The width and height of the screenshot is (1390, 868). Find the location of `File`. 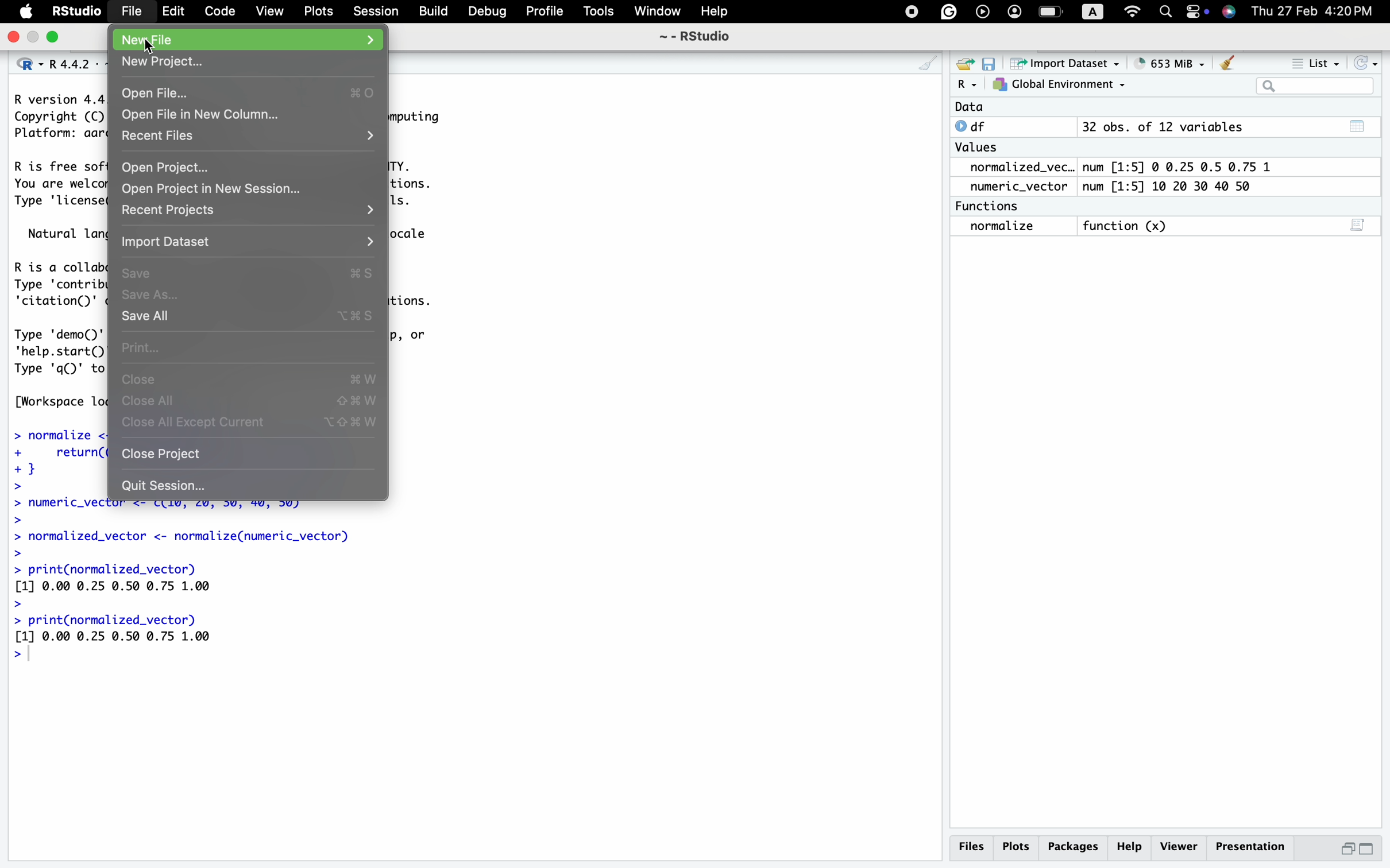

File is located at coordinates (133, 13).